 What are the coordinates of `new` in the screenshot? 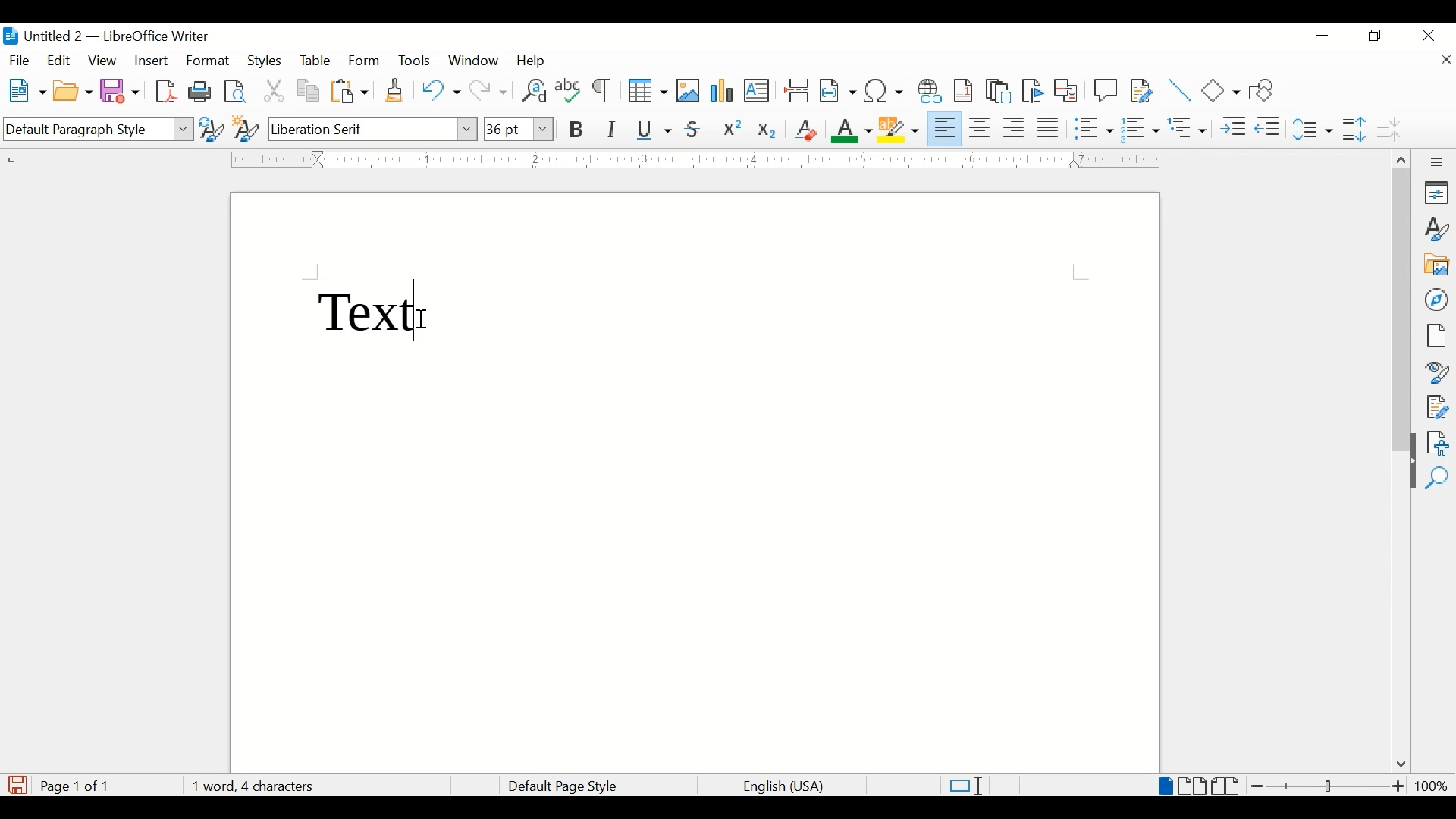 It's located at (28, 90).